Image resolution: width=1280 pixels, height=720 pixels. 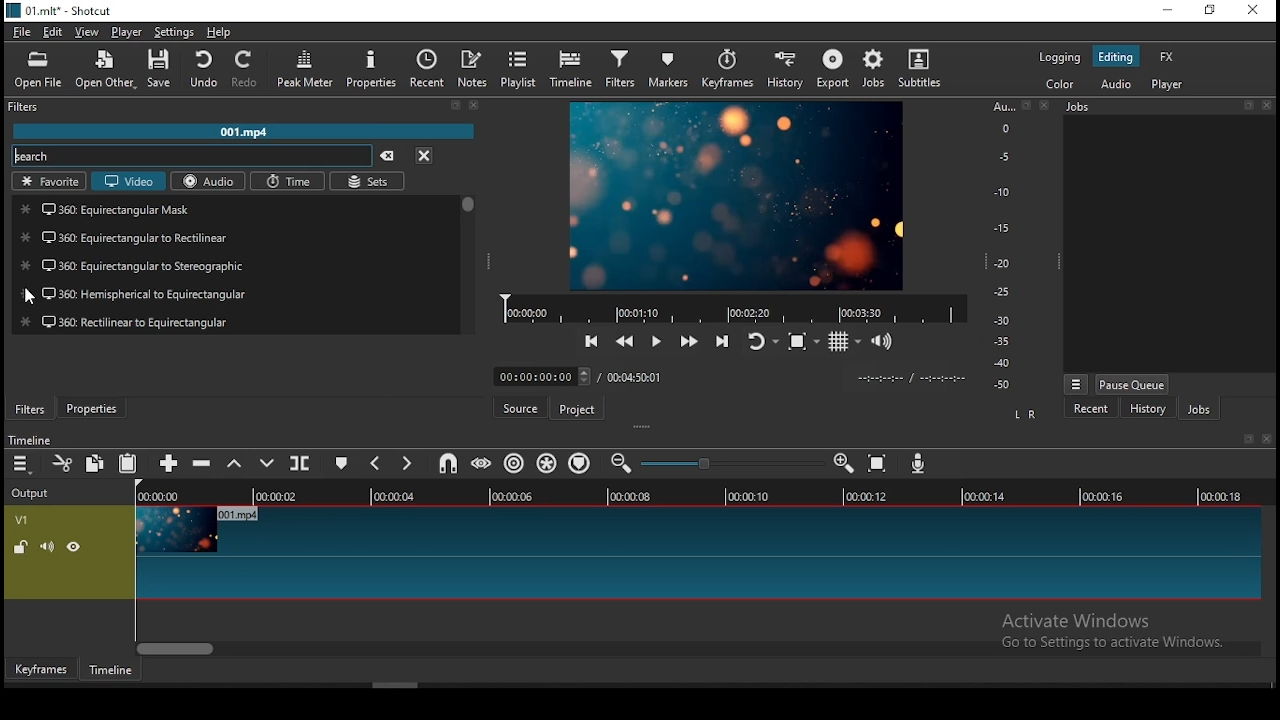 I want to click on toggle grid display on the player, so click(x=843, y=340).